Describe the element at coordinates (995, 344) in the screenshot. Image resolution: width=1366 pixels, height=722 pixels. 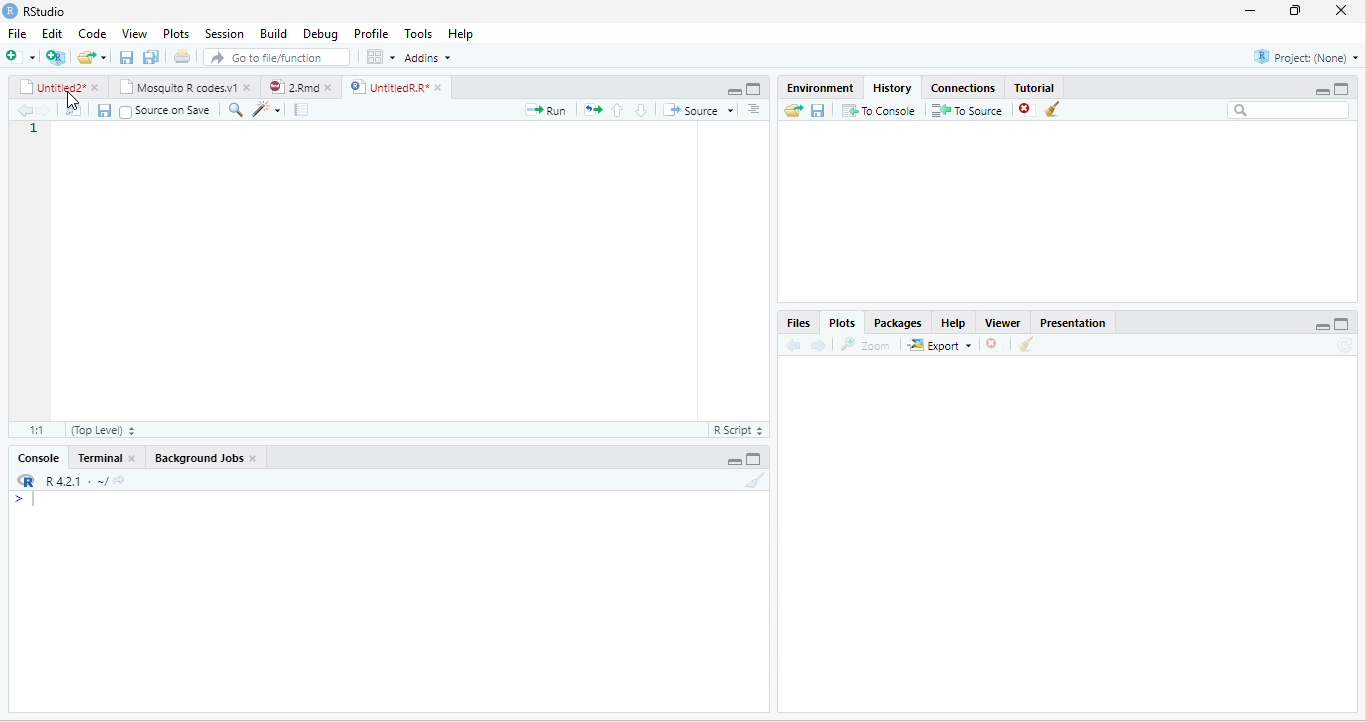
I see `CLOSE` at that location.